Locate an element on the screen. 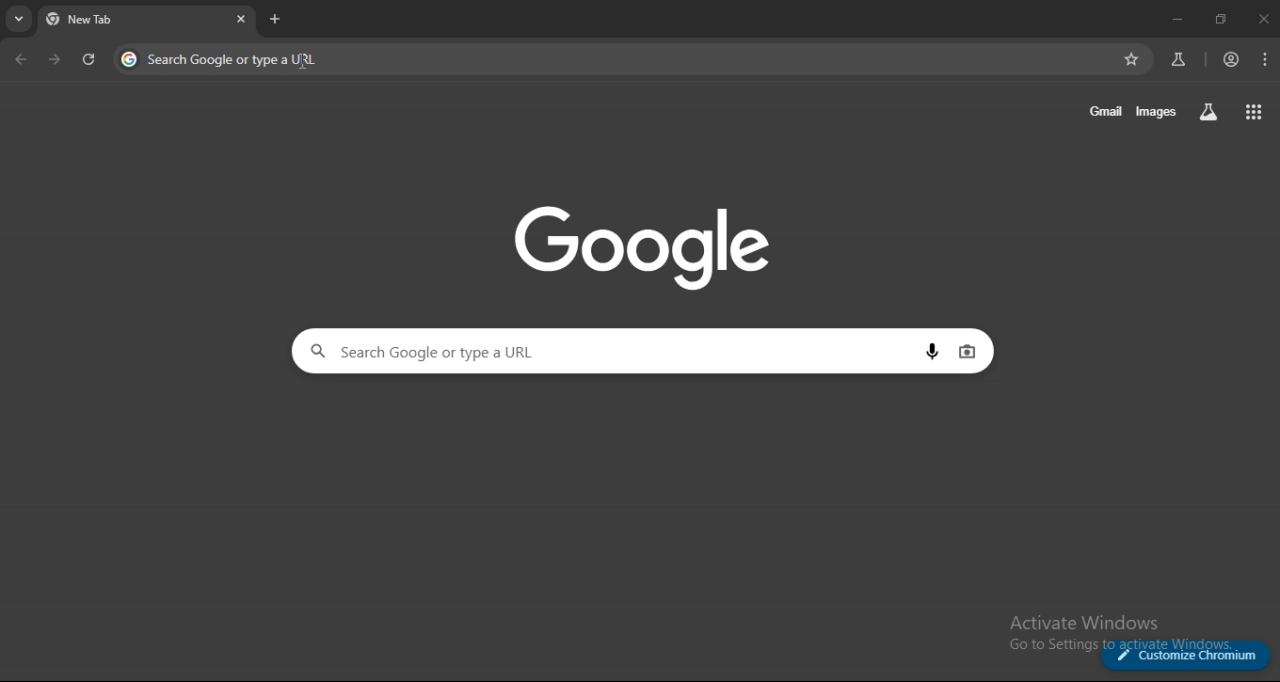  new tab is located at coordinates (275, 19).